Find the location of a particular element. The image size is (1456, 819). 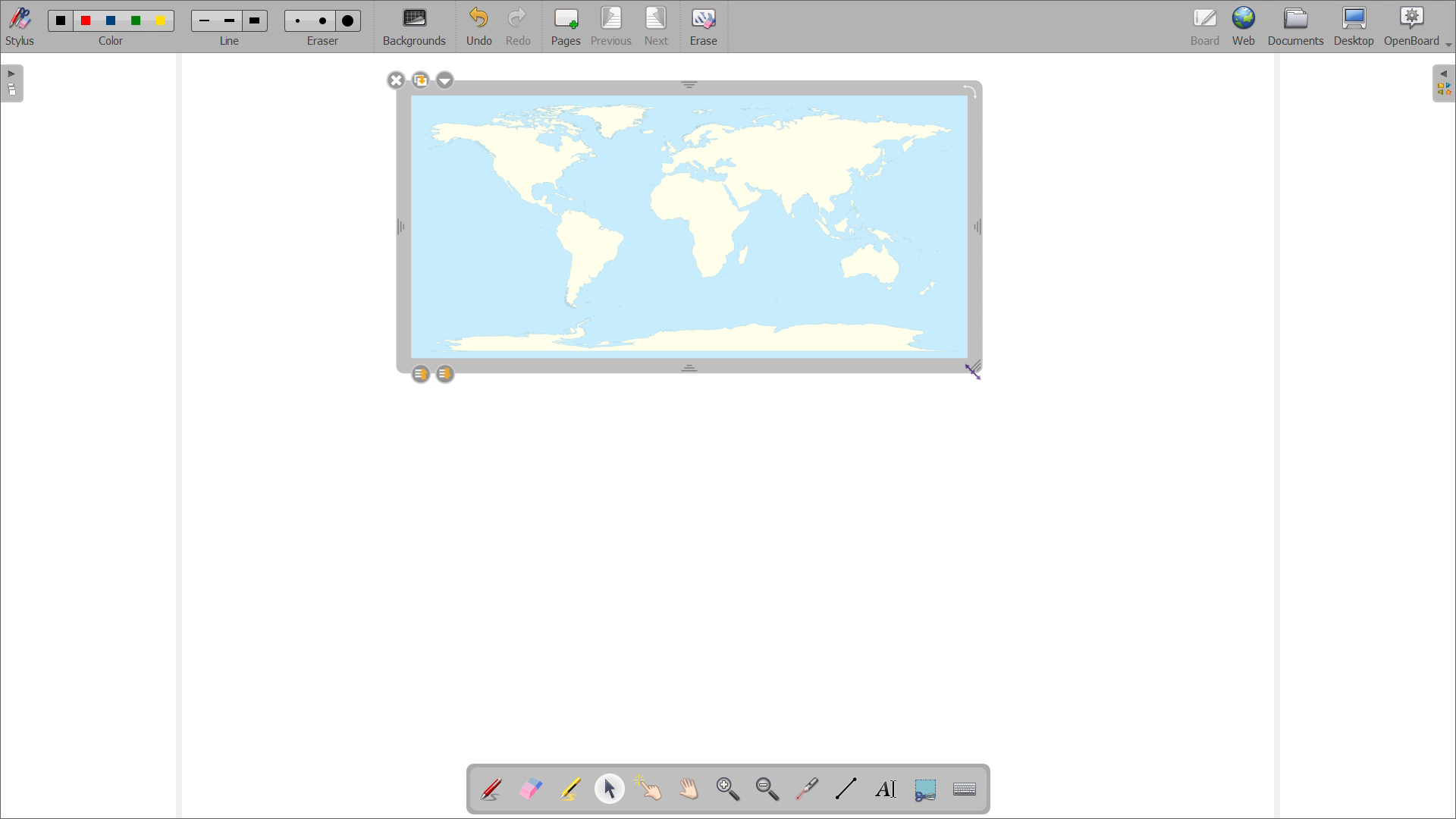

small is located at coordinates (203, 22).